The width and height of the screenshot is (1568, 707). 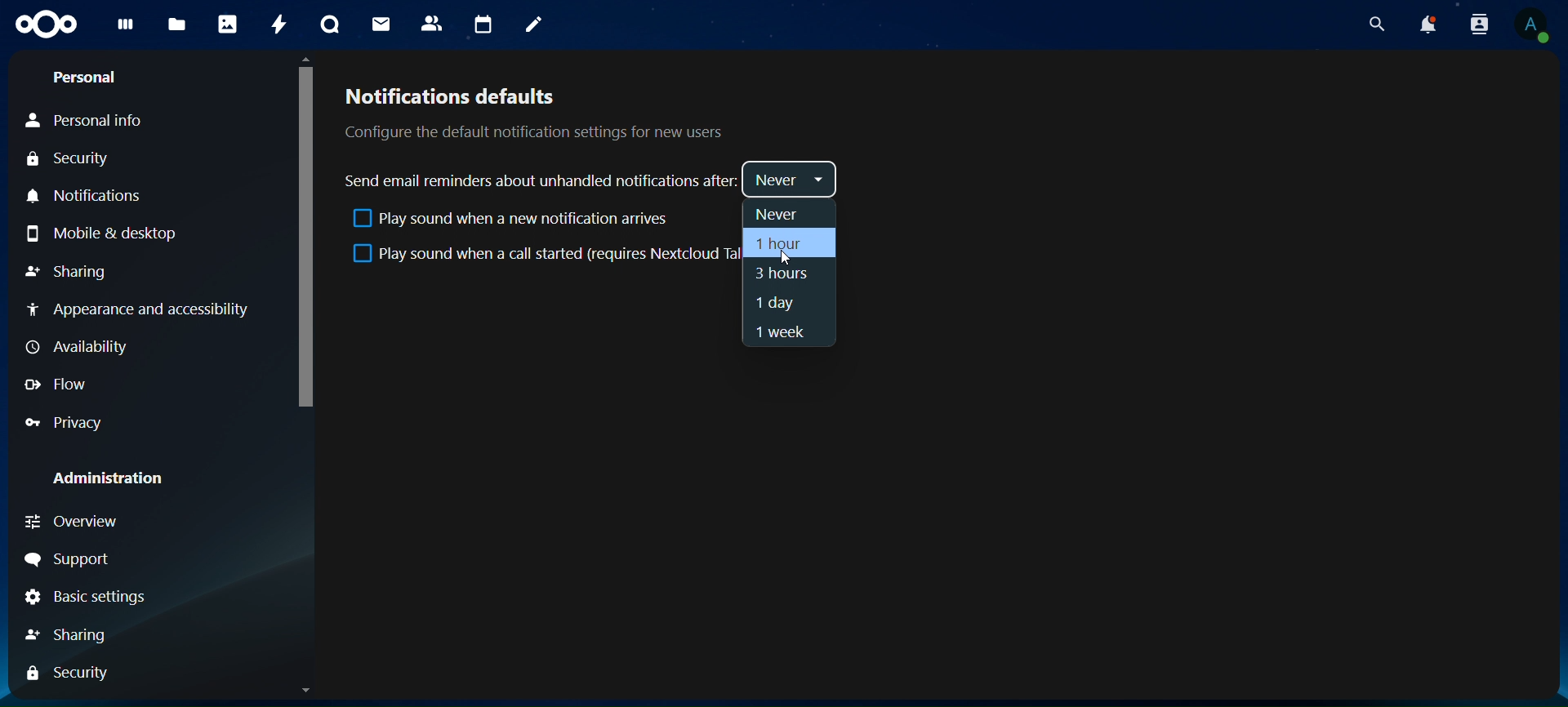 What do you see at coordinates (540, 255) in the screenshot?
I see `play sound when a call started ` at bounding box center [540, 255].